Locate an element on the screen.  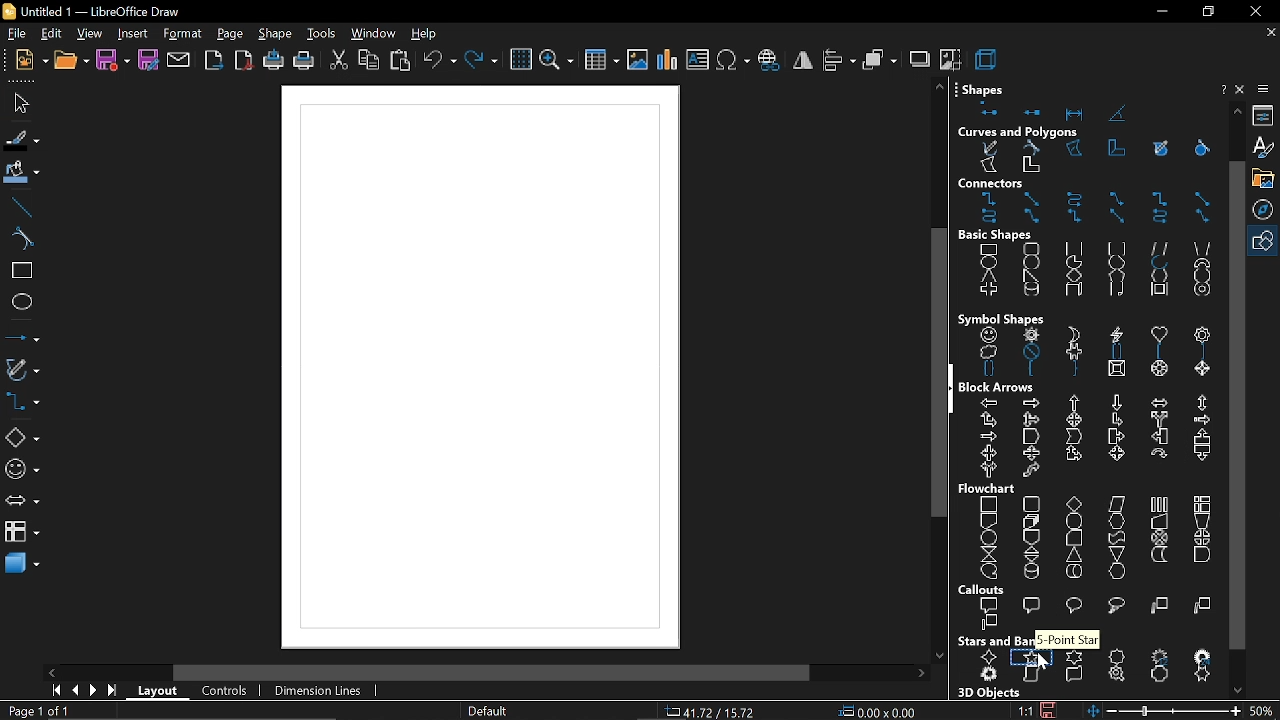
block arrows is located at coordinates (1000, 386).